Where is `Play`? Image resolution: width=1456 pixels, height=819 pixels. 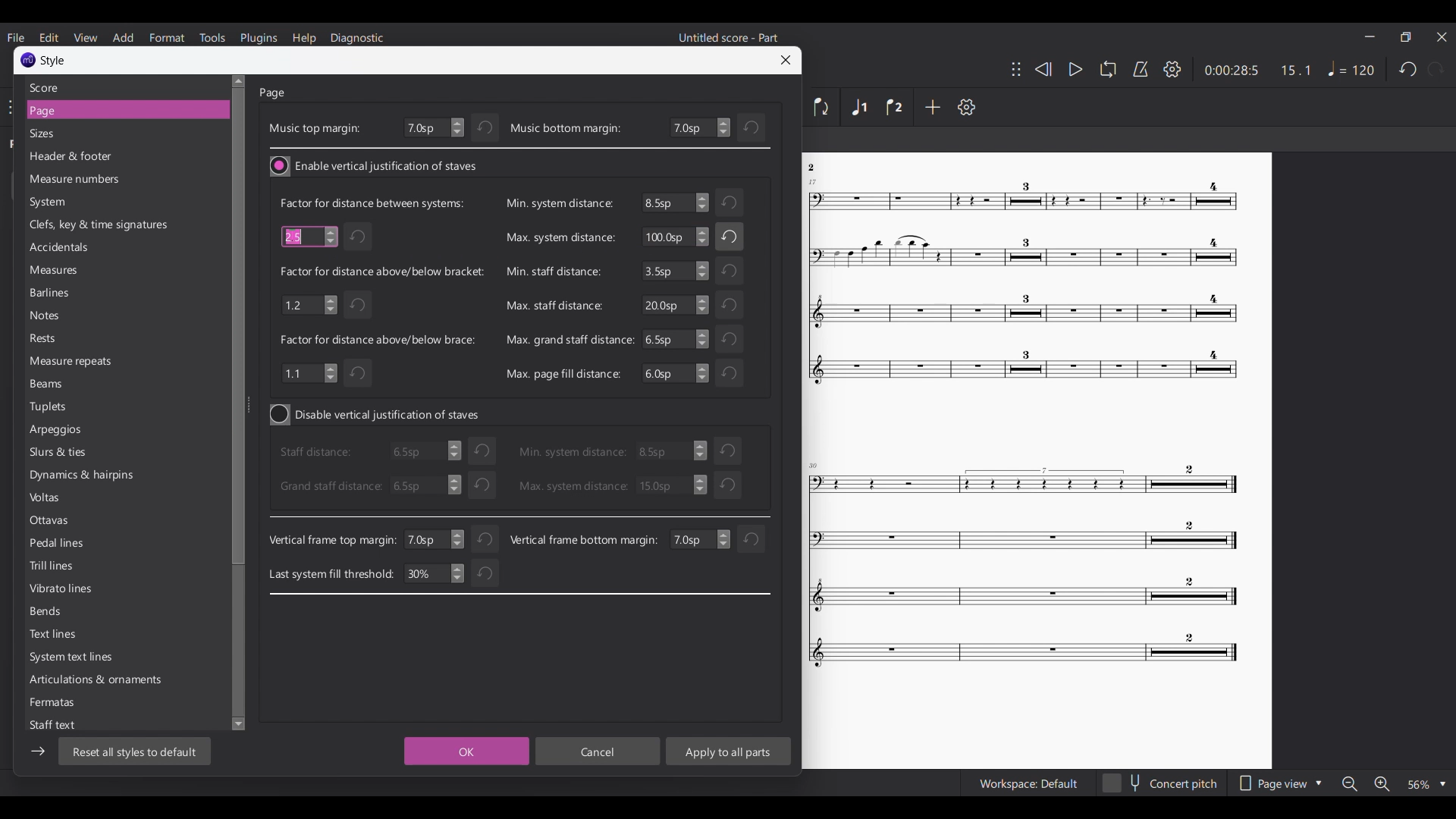
Play is located at coordinates (1076, 70).